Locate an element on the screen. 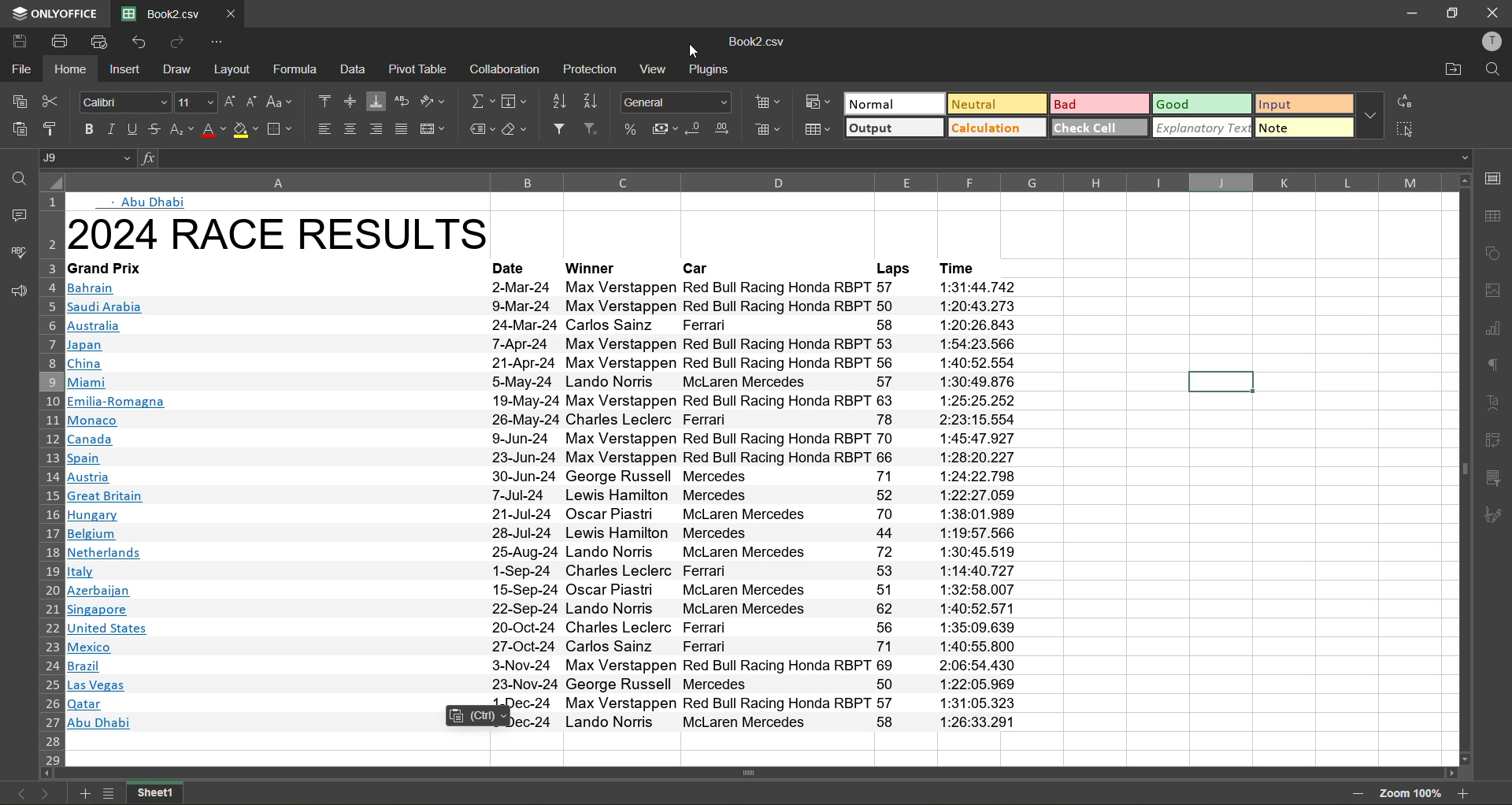 Image resolution: width=1512 pixels, height=805 pixels. text is located at coordinates (1493, 403).